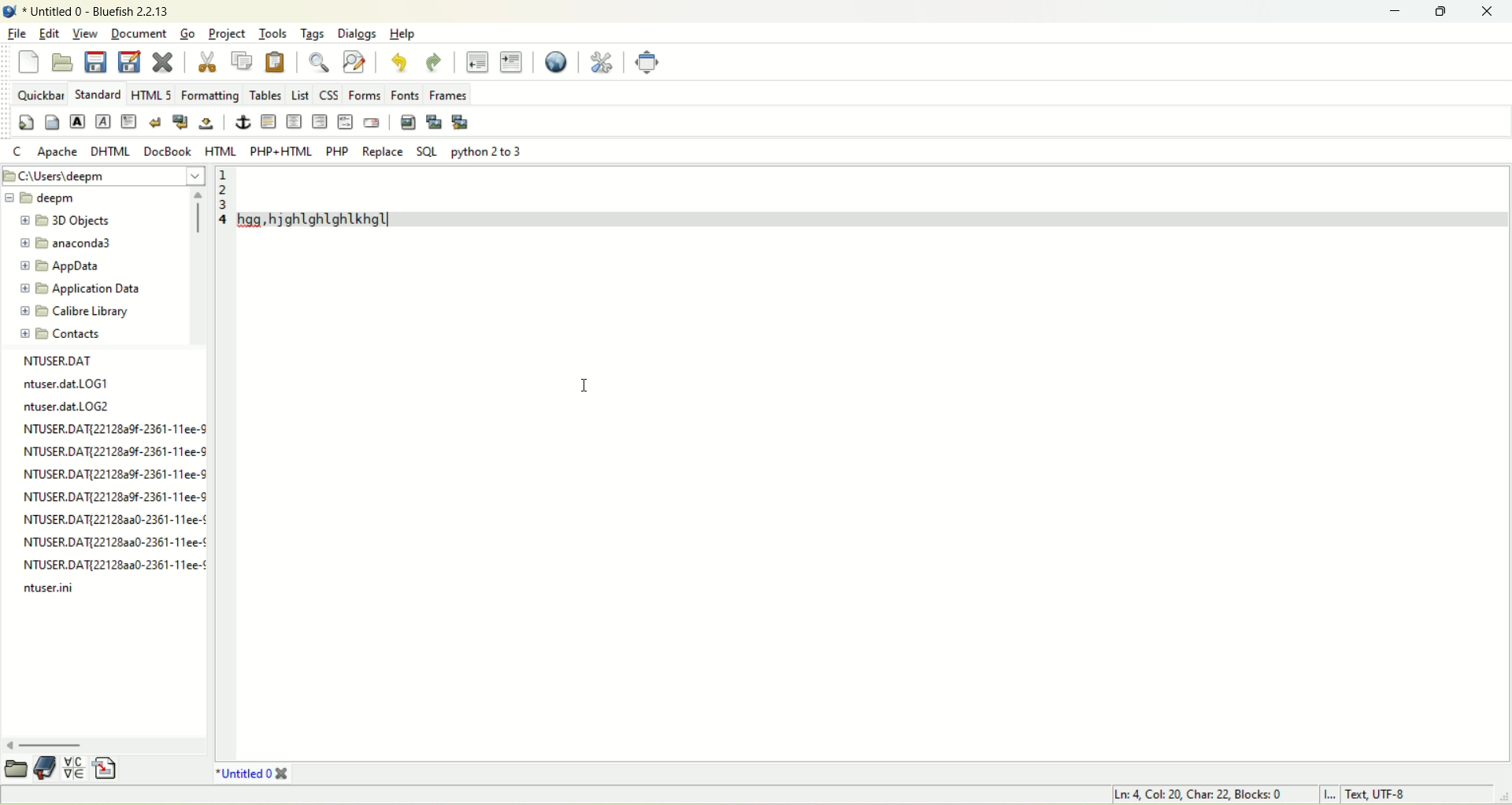  Describe the element at coordinates (336, 151) in the screenshot. I see `PHP` at that location.